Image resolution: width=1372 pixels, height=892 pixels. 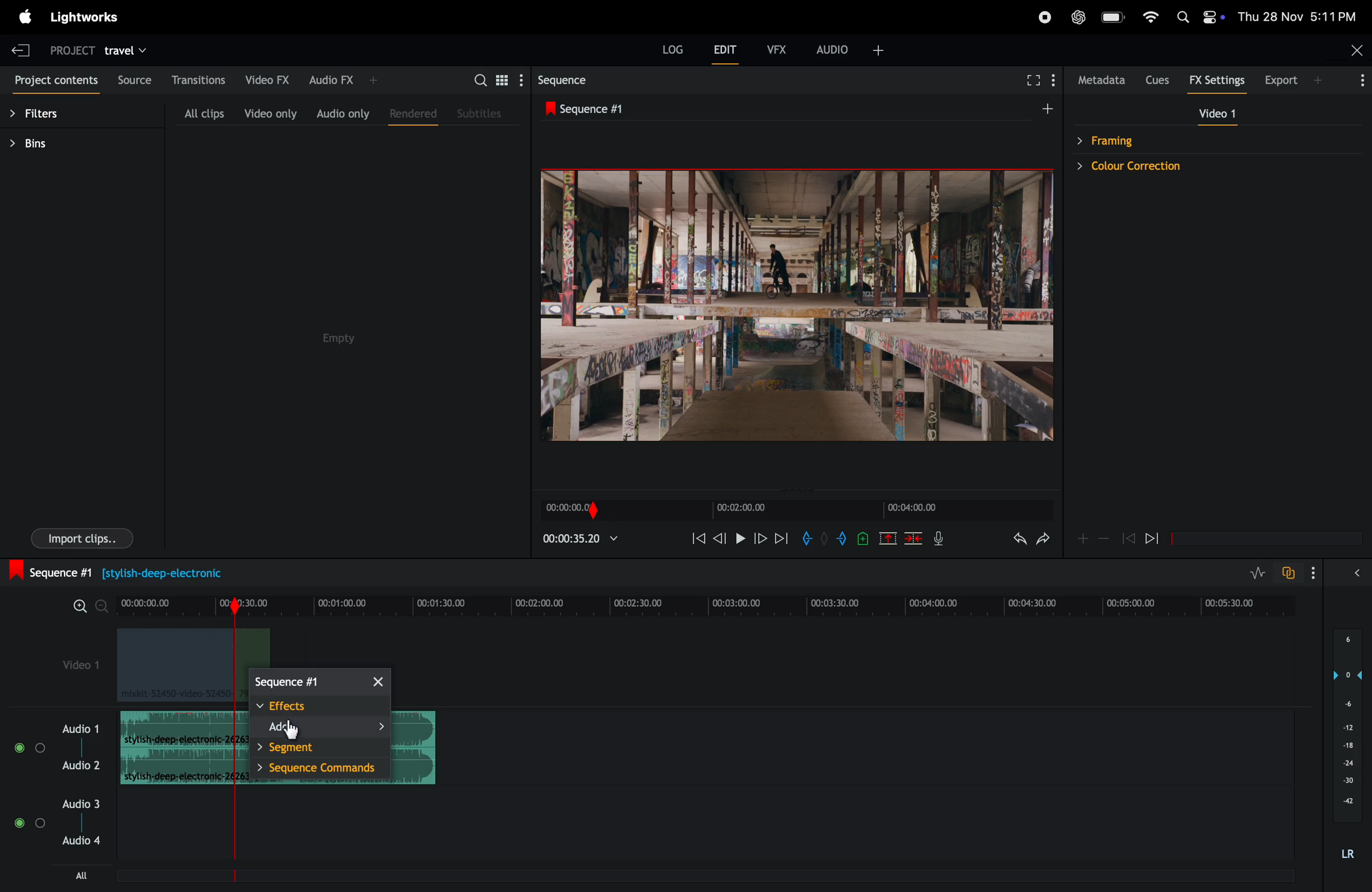 What do you see at coordinates (1151, 16) in the screenshot?
I see `wifi` at bounding box center [1151, 16].